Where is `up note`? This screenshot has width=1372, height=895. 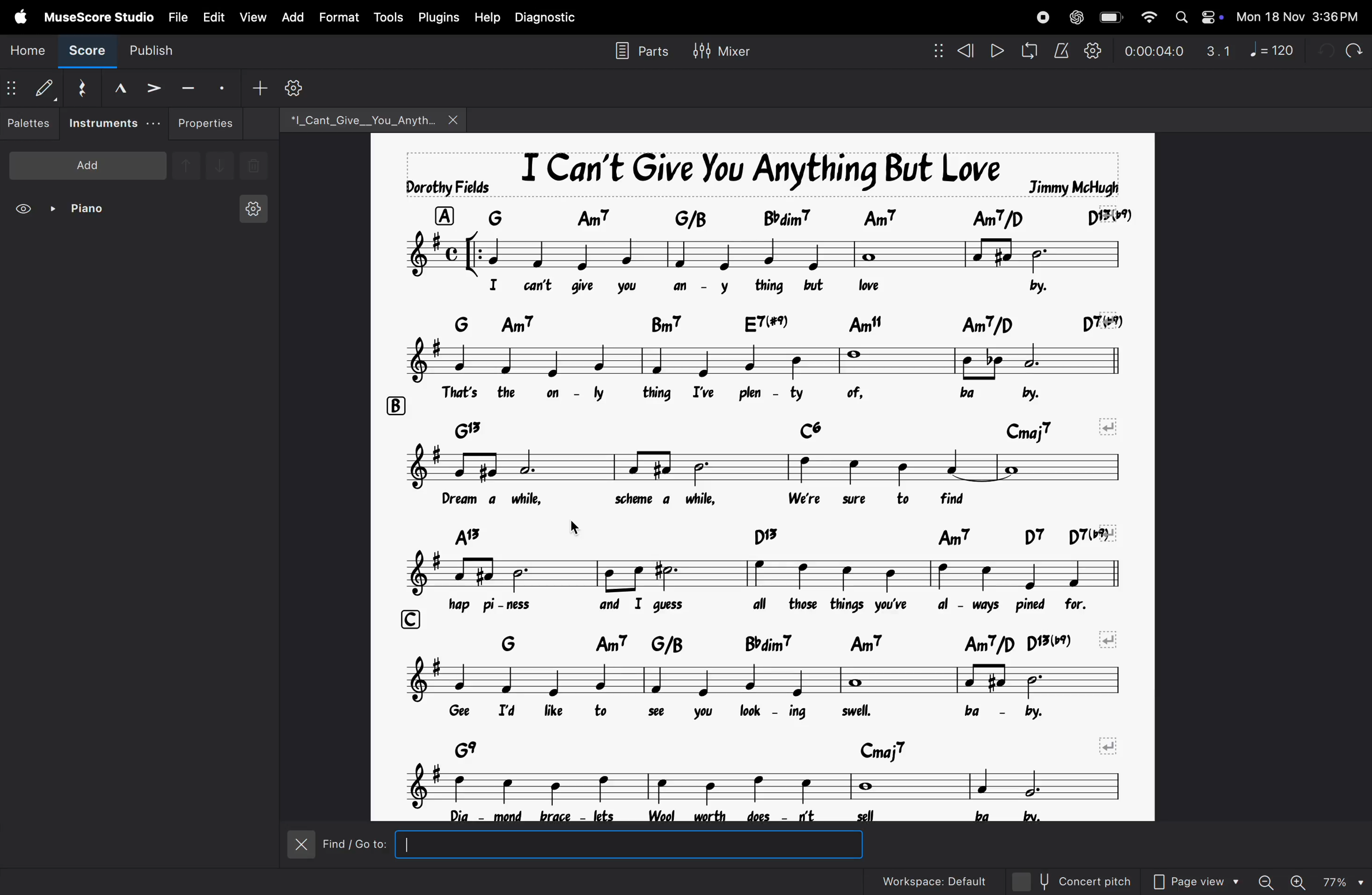
up note is located at coordinates (186, 166).